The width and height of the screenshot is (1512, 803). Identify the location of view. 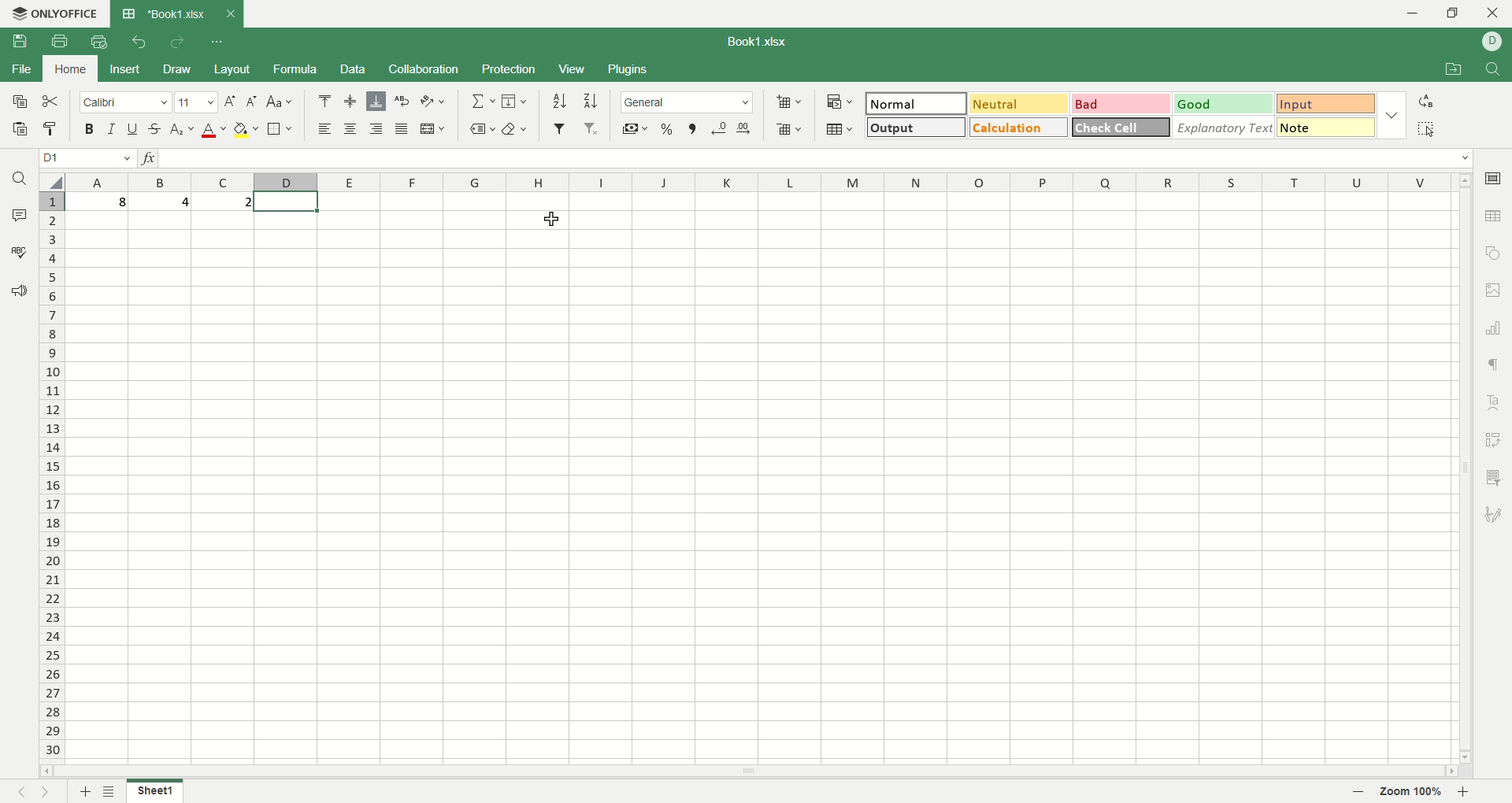
(573, 70).